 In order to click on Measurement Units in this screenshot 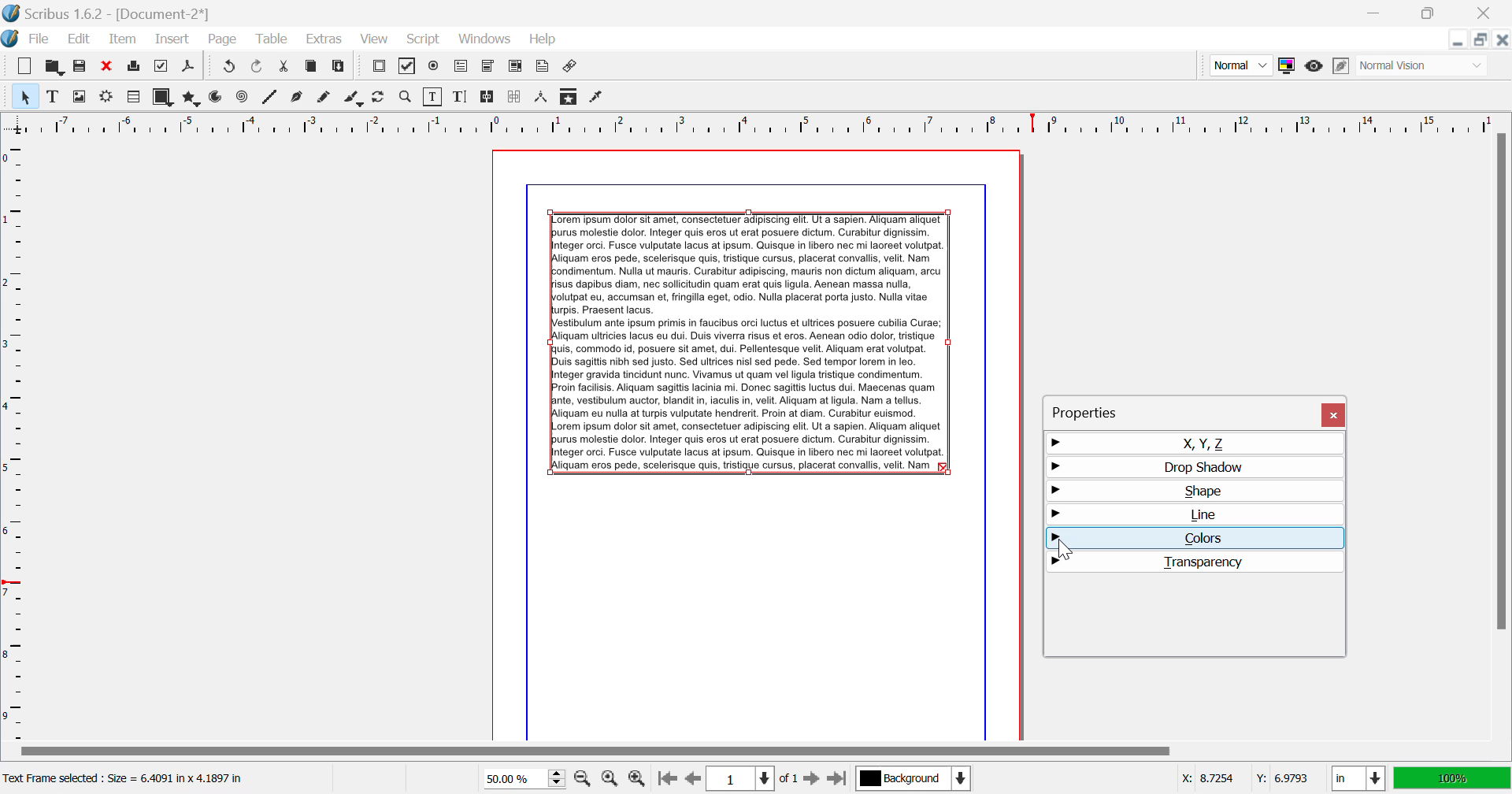, I will do `click(1359, 780)`.